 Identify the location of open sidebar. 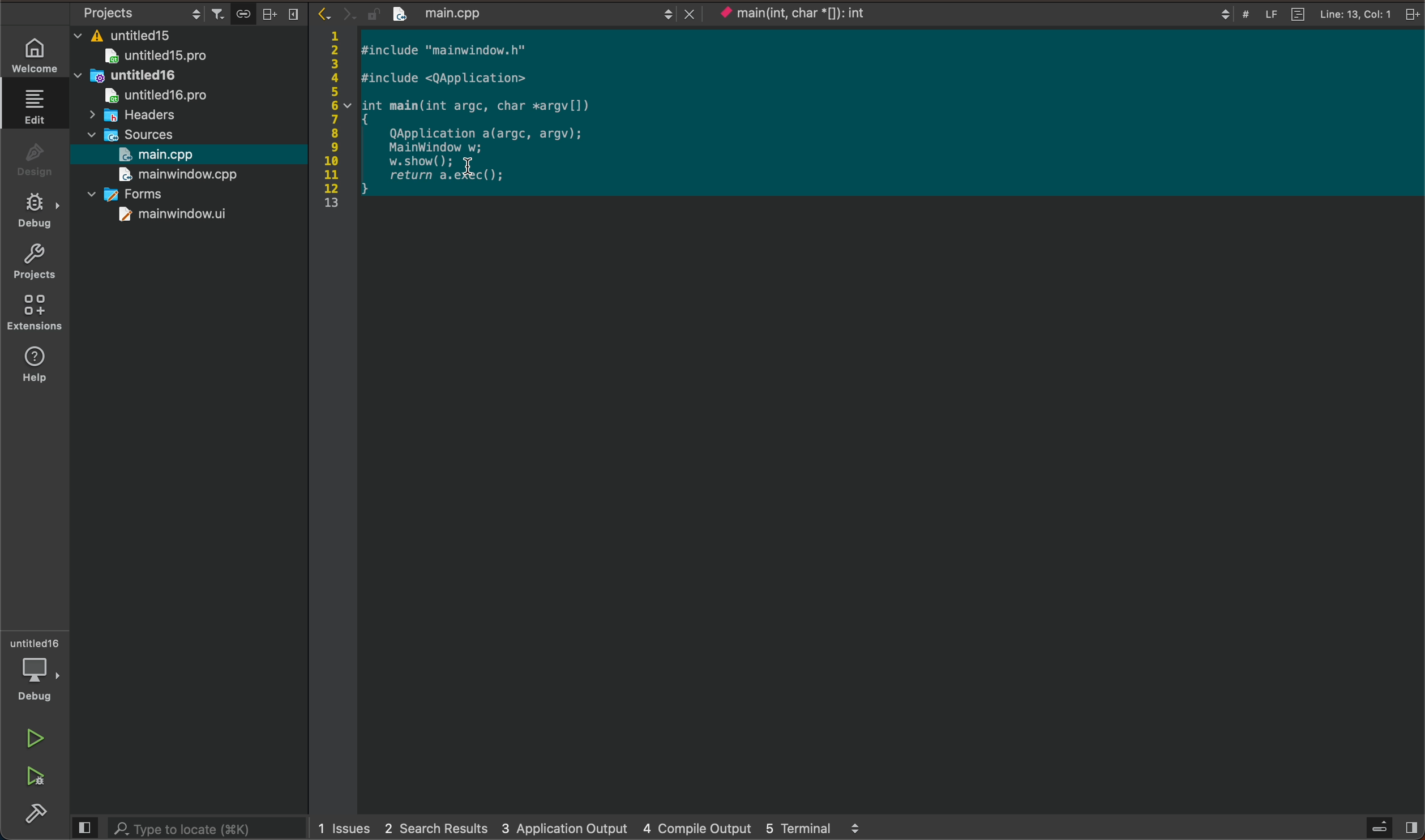
(1382, 828).